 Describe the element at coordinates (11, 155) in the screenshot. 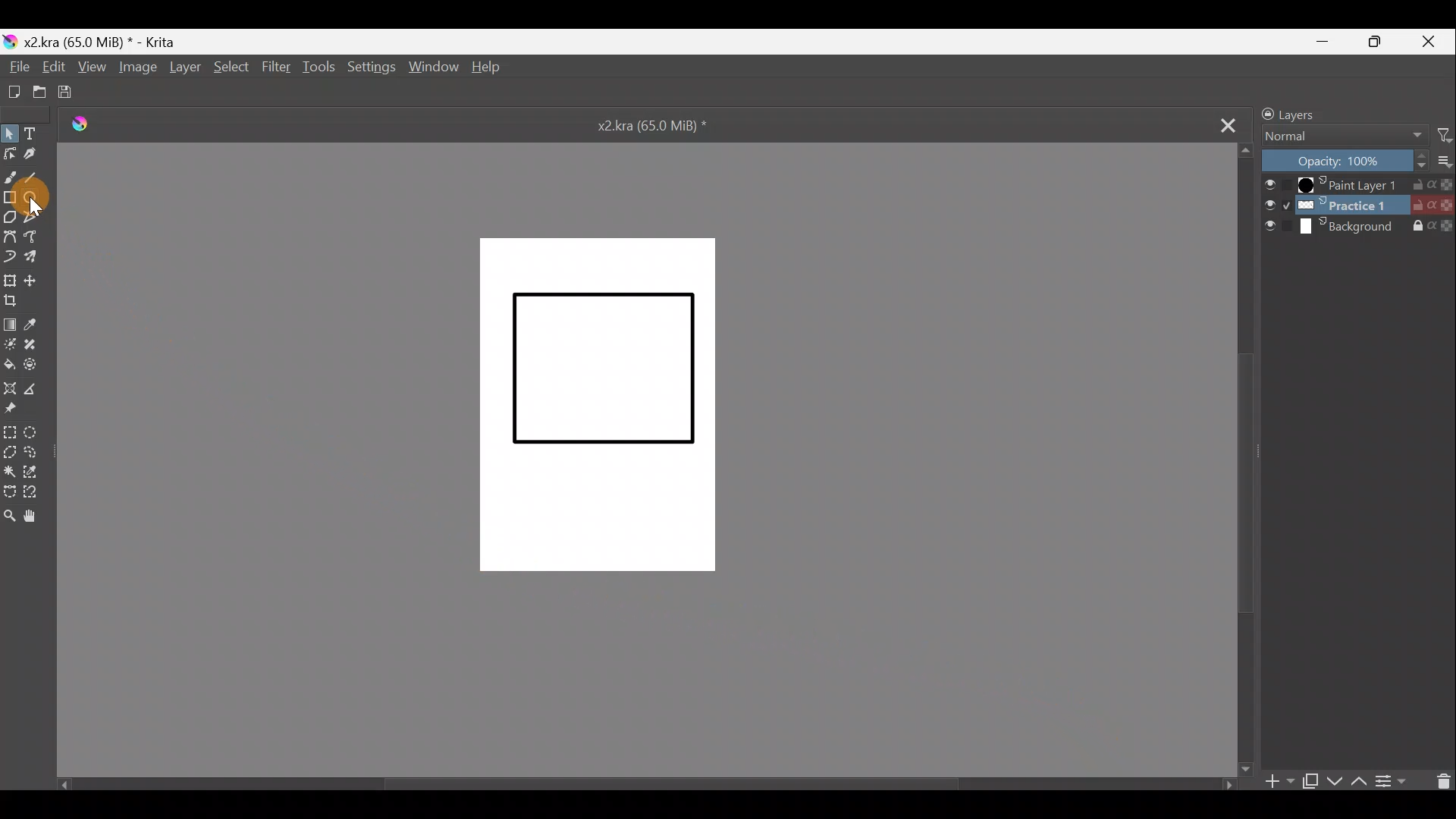

I see `Edit shapes tool` at that location.